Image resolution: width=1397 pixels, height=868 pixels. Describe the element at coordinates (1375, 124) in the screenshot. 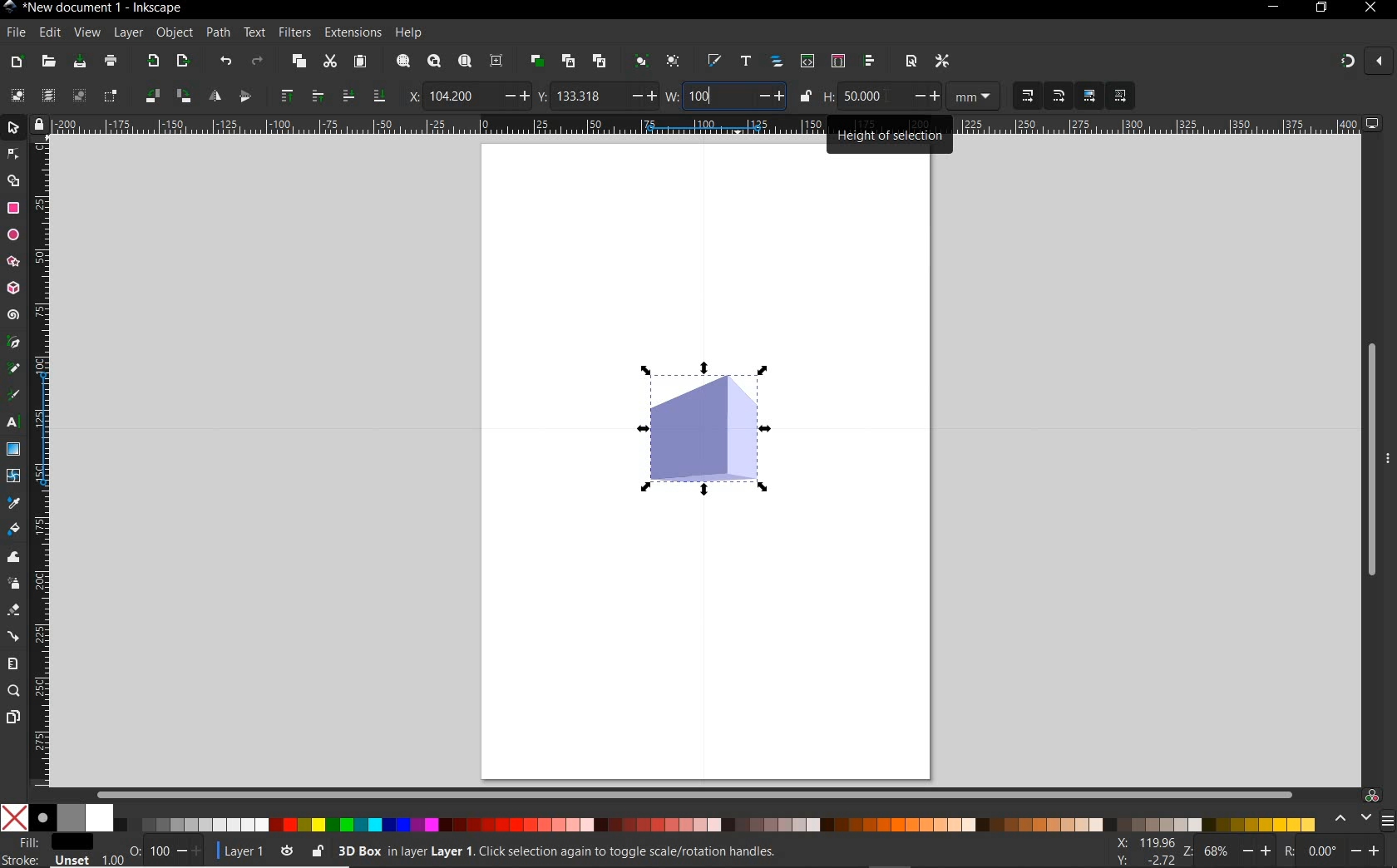

I see `computer icon` at that location.